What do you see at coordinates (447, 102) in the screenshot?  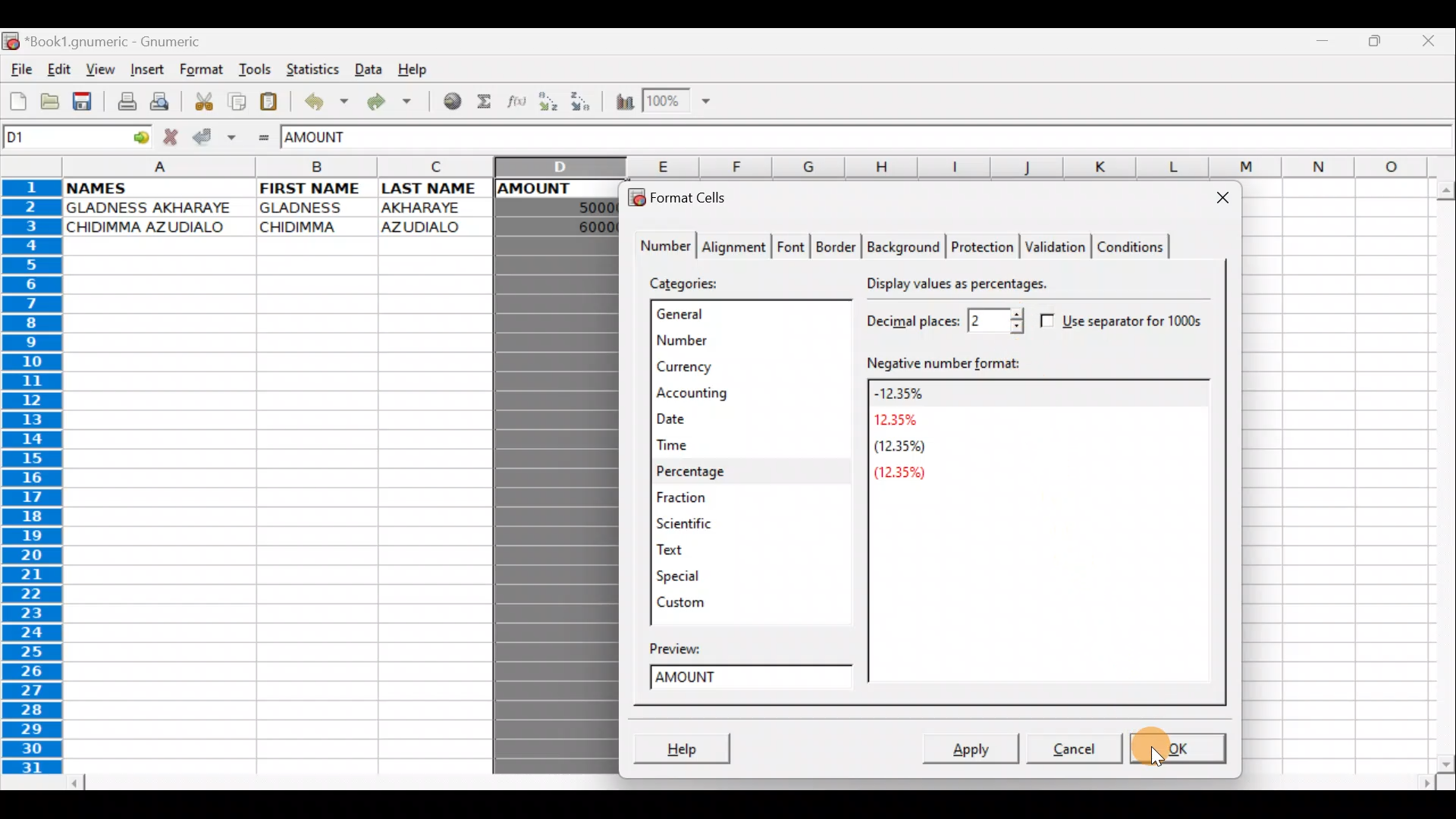 I see `Insert hyperlink` at bounding box center [447, 102].